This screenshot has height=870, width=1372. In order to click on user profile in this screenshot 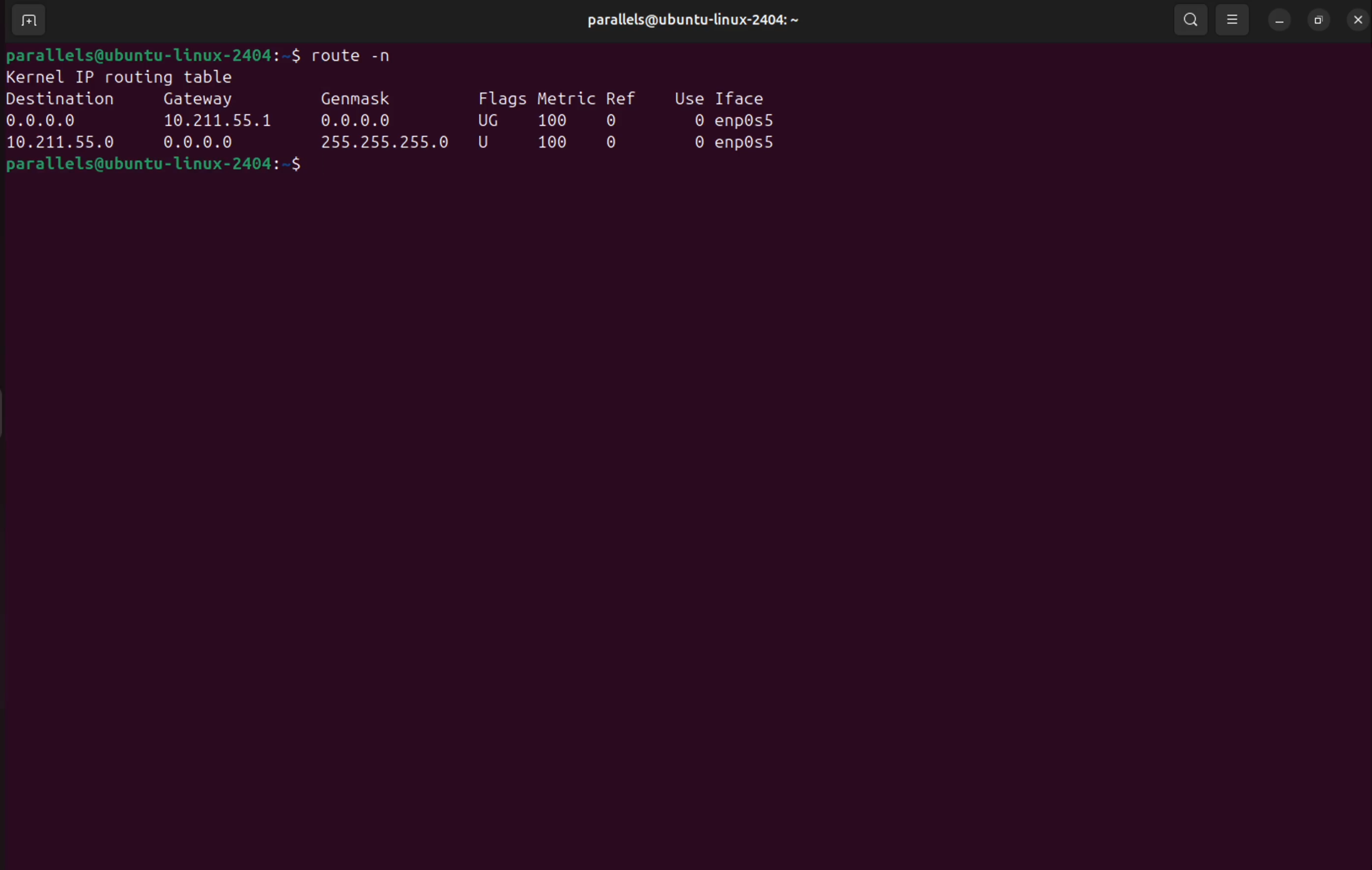, I will do `click(692, 21)`.